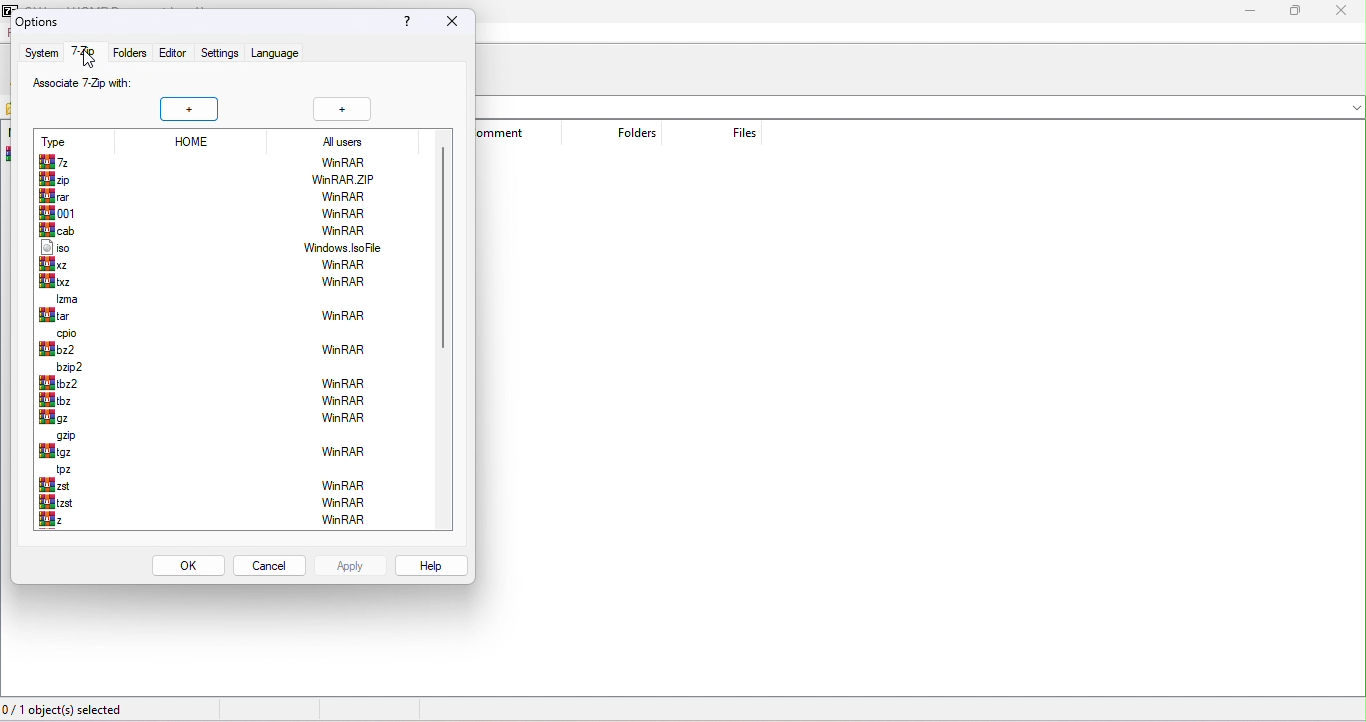 The height and width of the screenshot is (722, 1366). I want to click on ?, so click(402, 24).